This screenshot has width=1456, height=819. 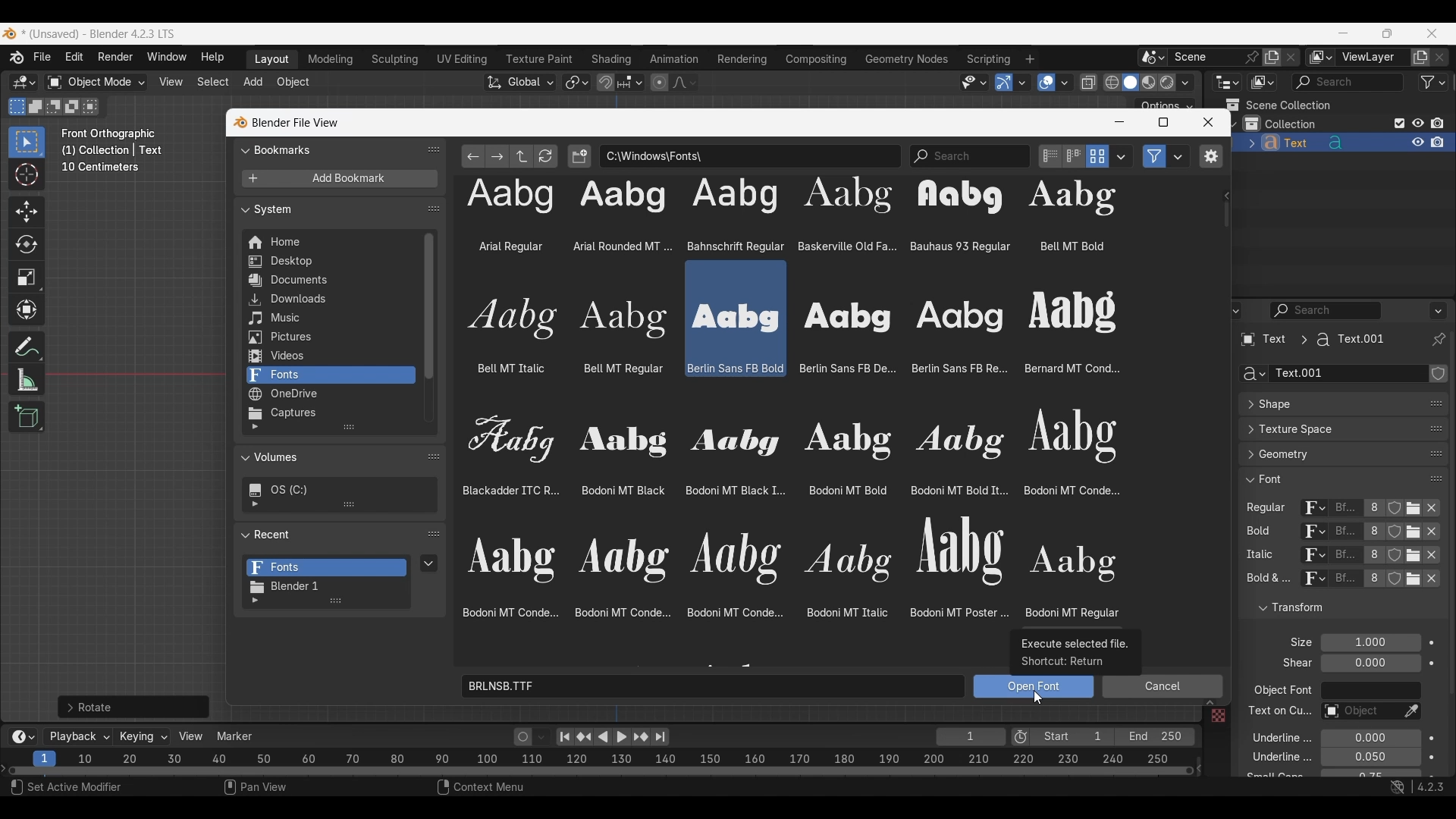 I want to click on Edit menu, so click(x=74, y=58).